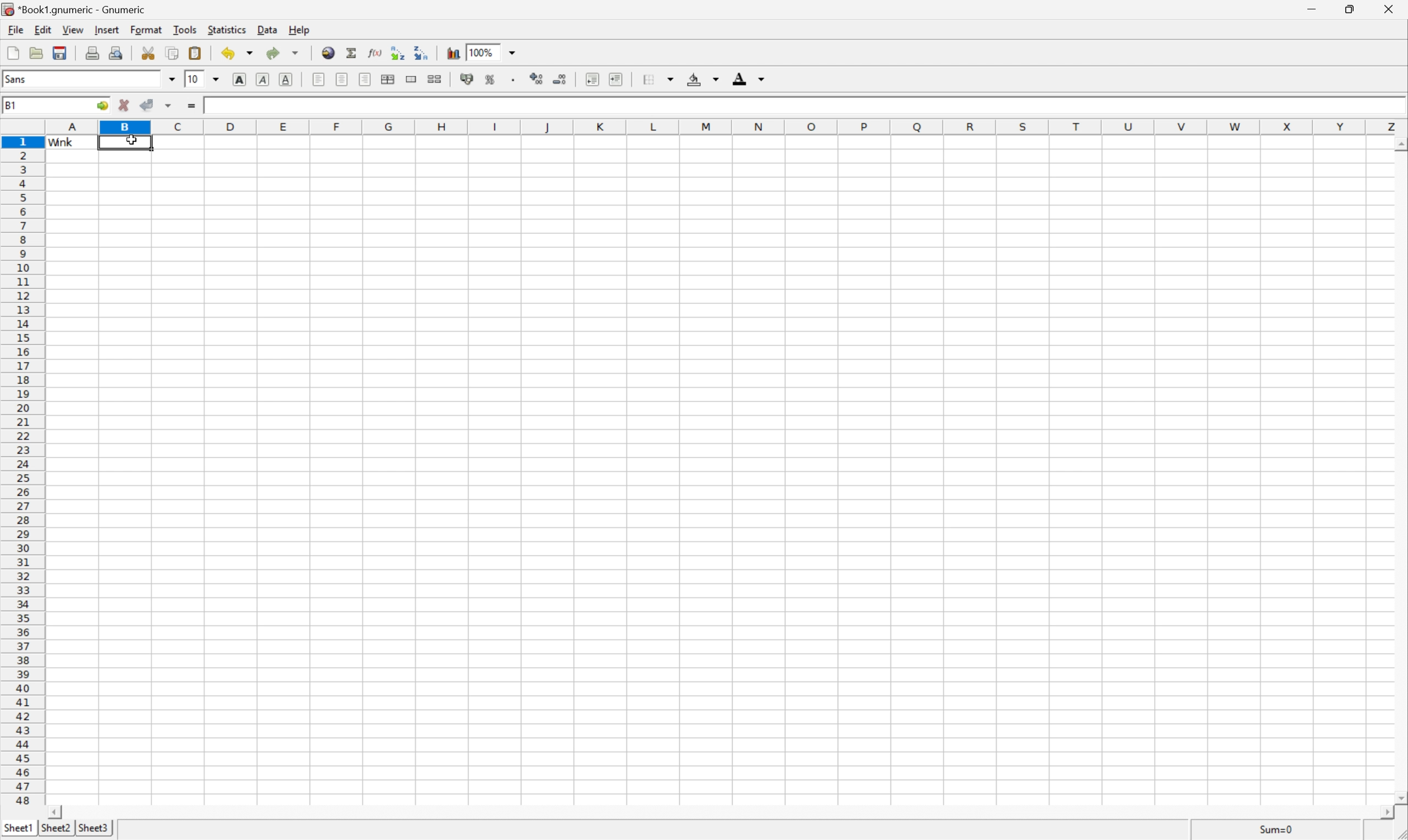 This screenshot has height=840, width=1408. What do you see at coordinates (1313, 10) in the screenshot?
I see `minimize` at bounding box center [1313, 10].